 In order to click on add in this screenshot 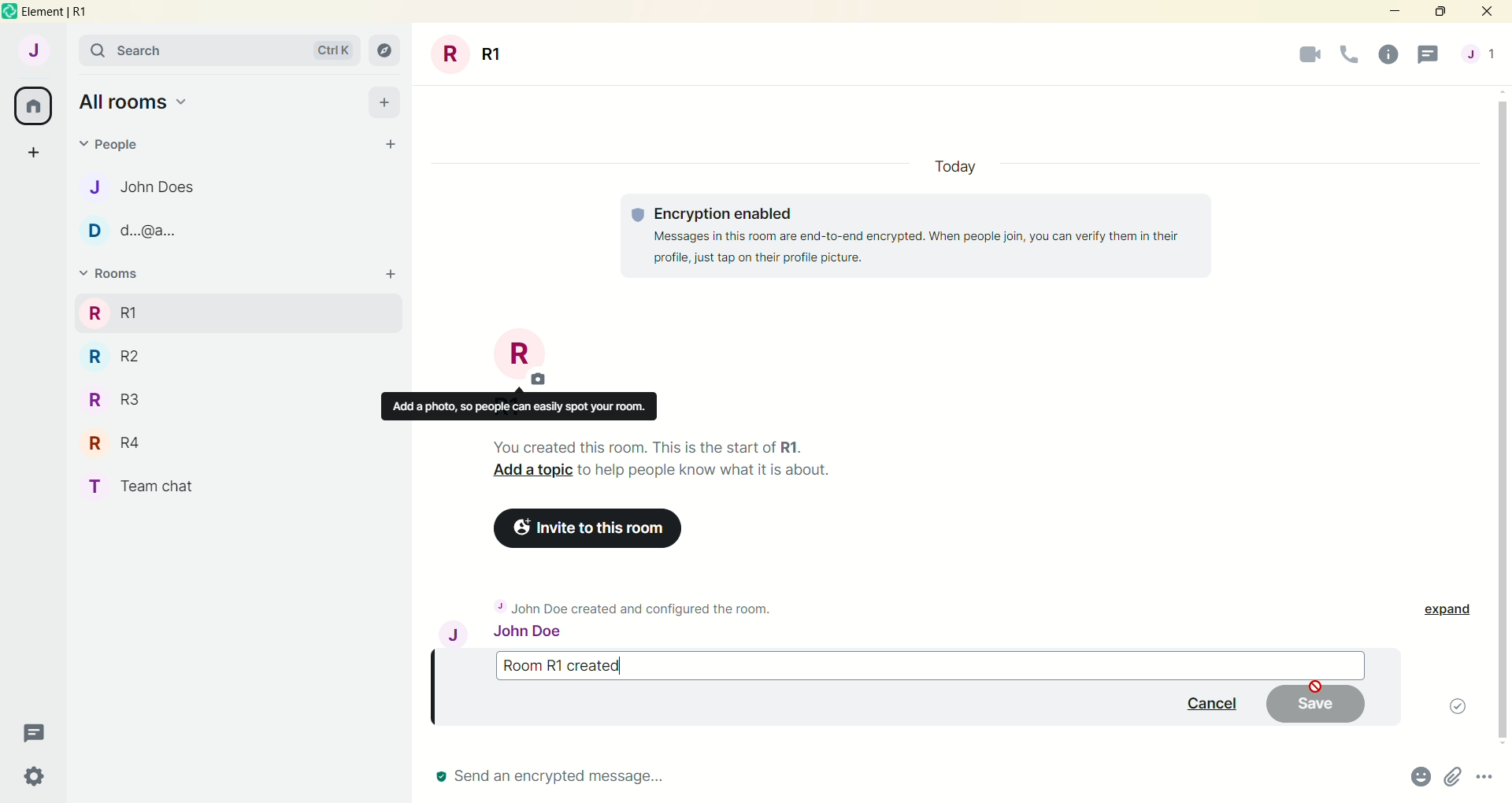, I will do `click(386, 102)`.